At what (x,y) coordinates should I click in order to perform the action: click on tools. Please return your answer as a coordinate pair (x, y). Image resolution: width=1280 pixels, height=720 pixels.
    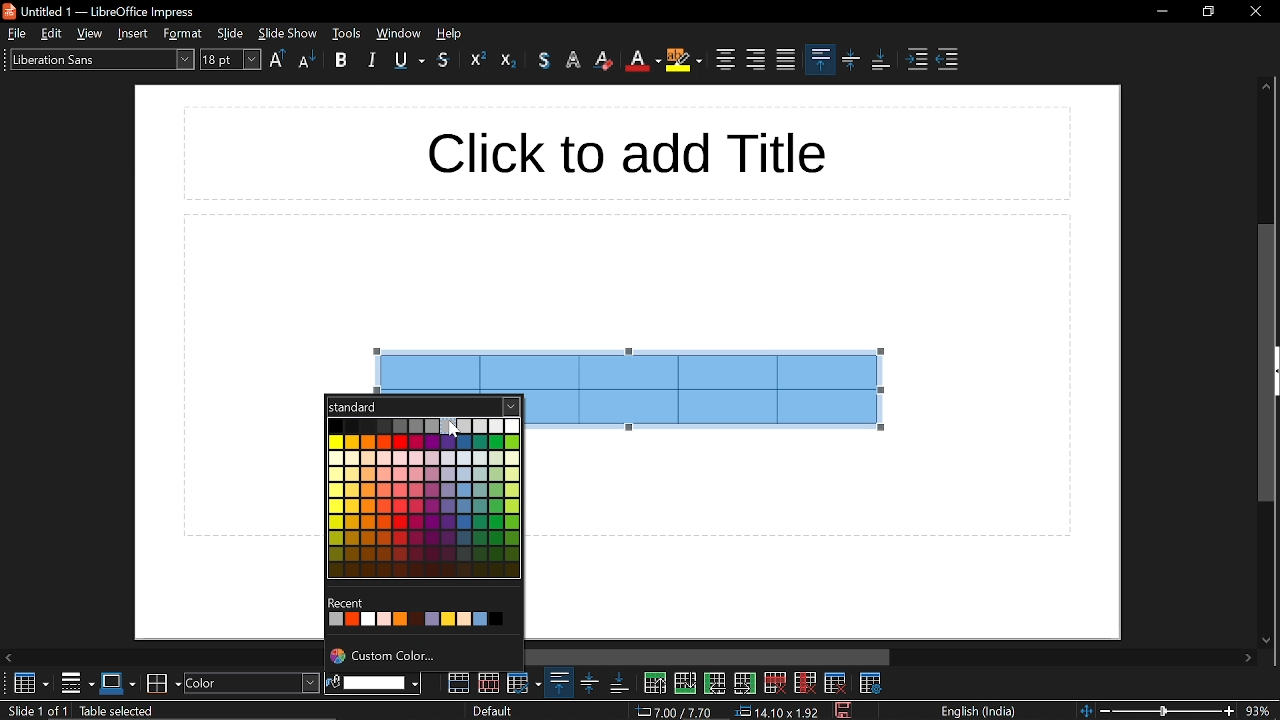
    Looking at the image, I should click on (348, 34).